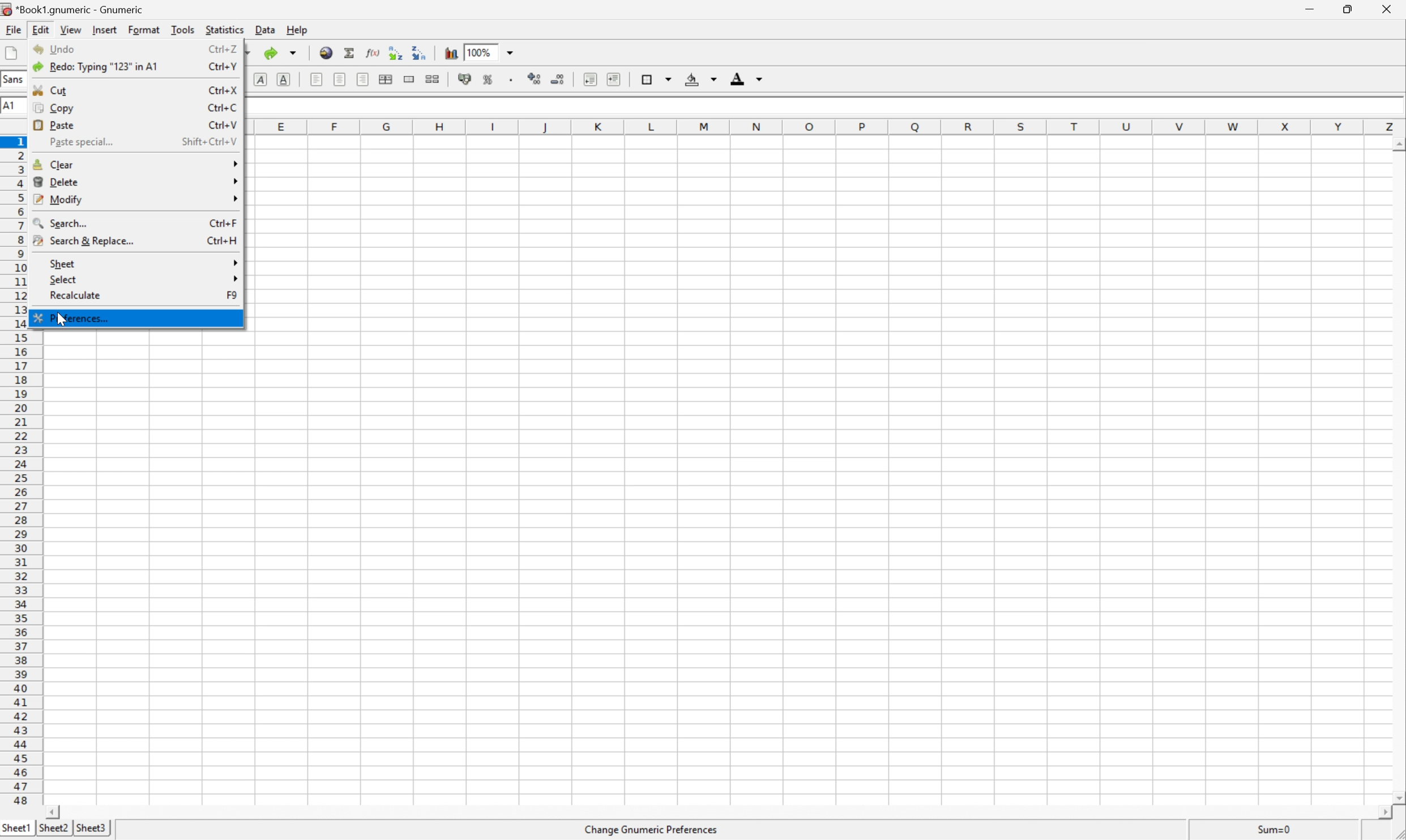  Describe the element at coordinates (143, 296) in the screenshot. I see `recalculate F9` at that location.